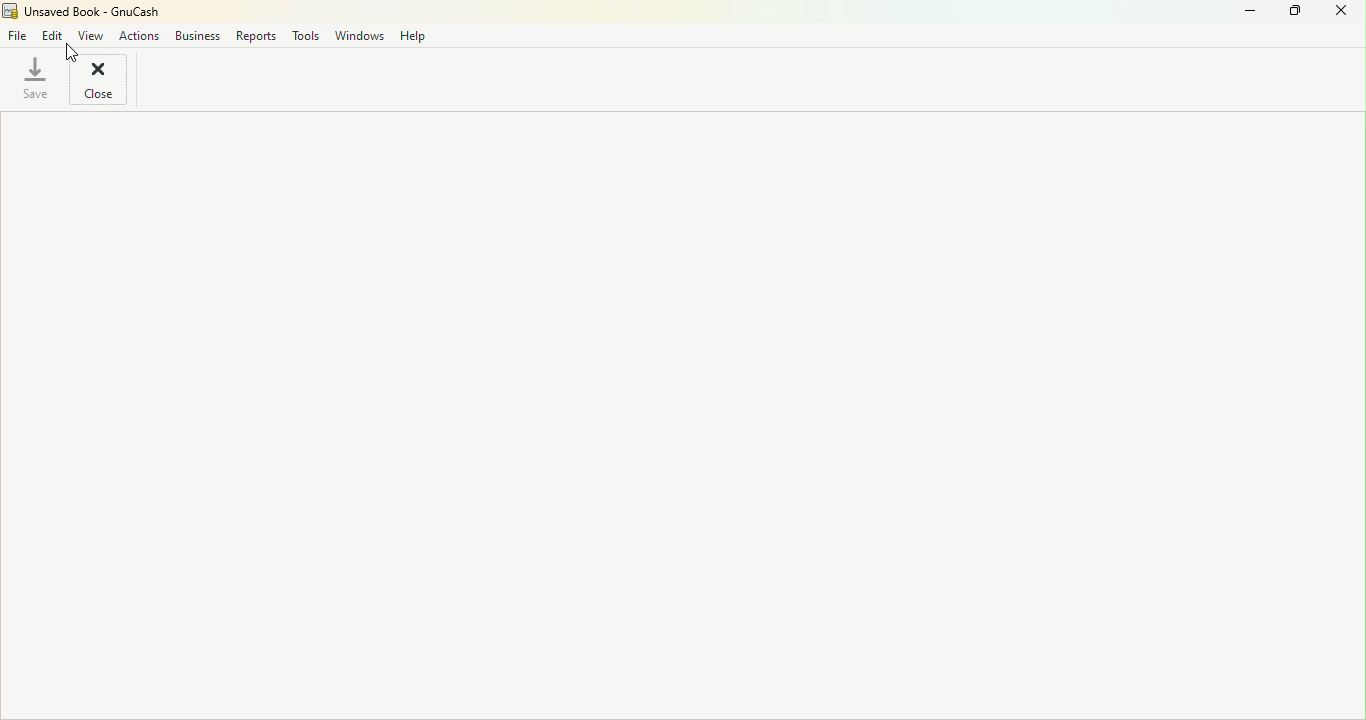  Describe the element at coordinates (82, 11) in the screenshot. I see `Unsaved Book - GnuCash` at that location.